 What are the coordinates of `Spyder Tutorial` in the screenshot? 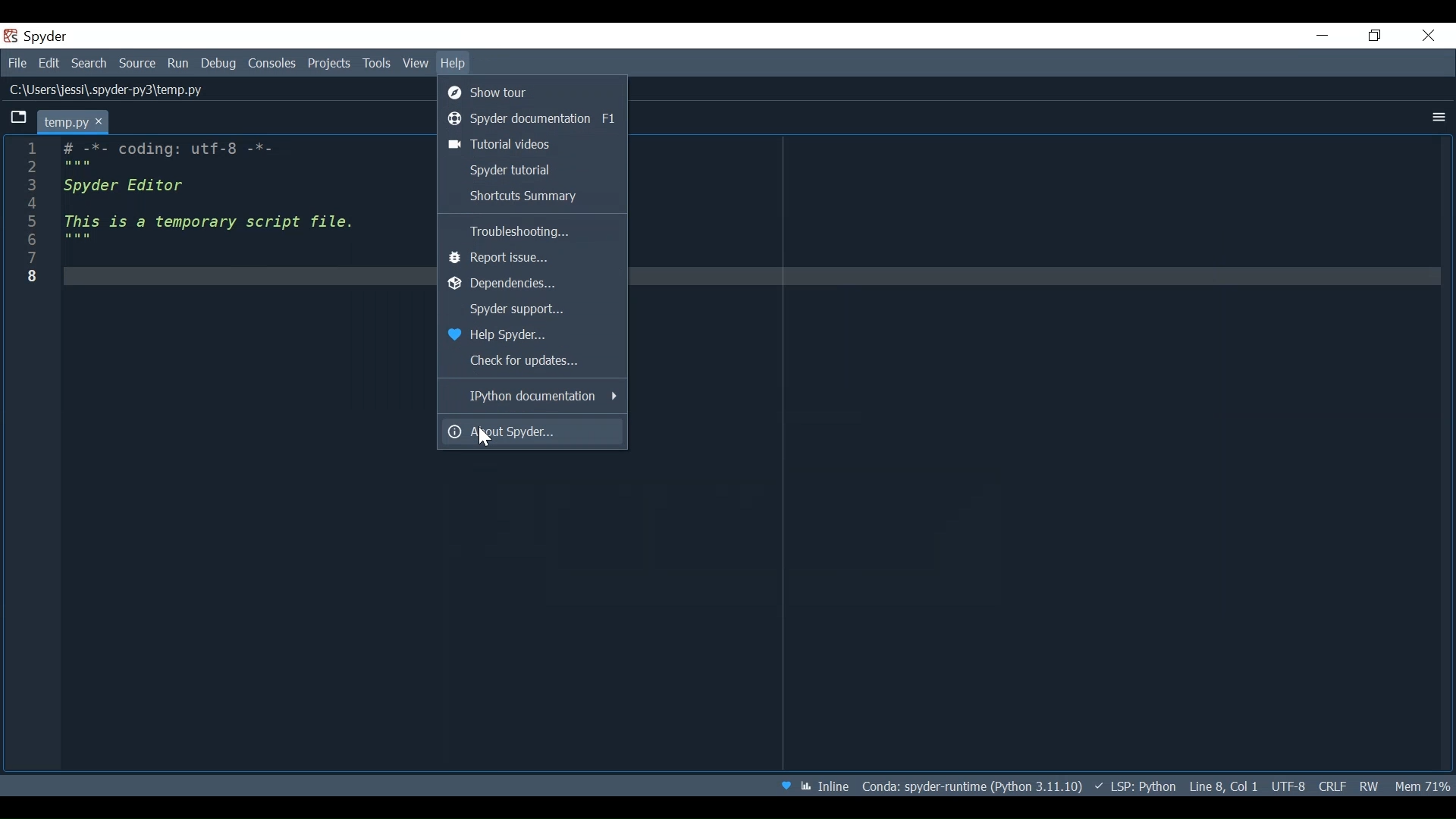 It's located at (534, 169).